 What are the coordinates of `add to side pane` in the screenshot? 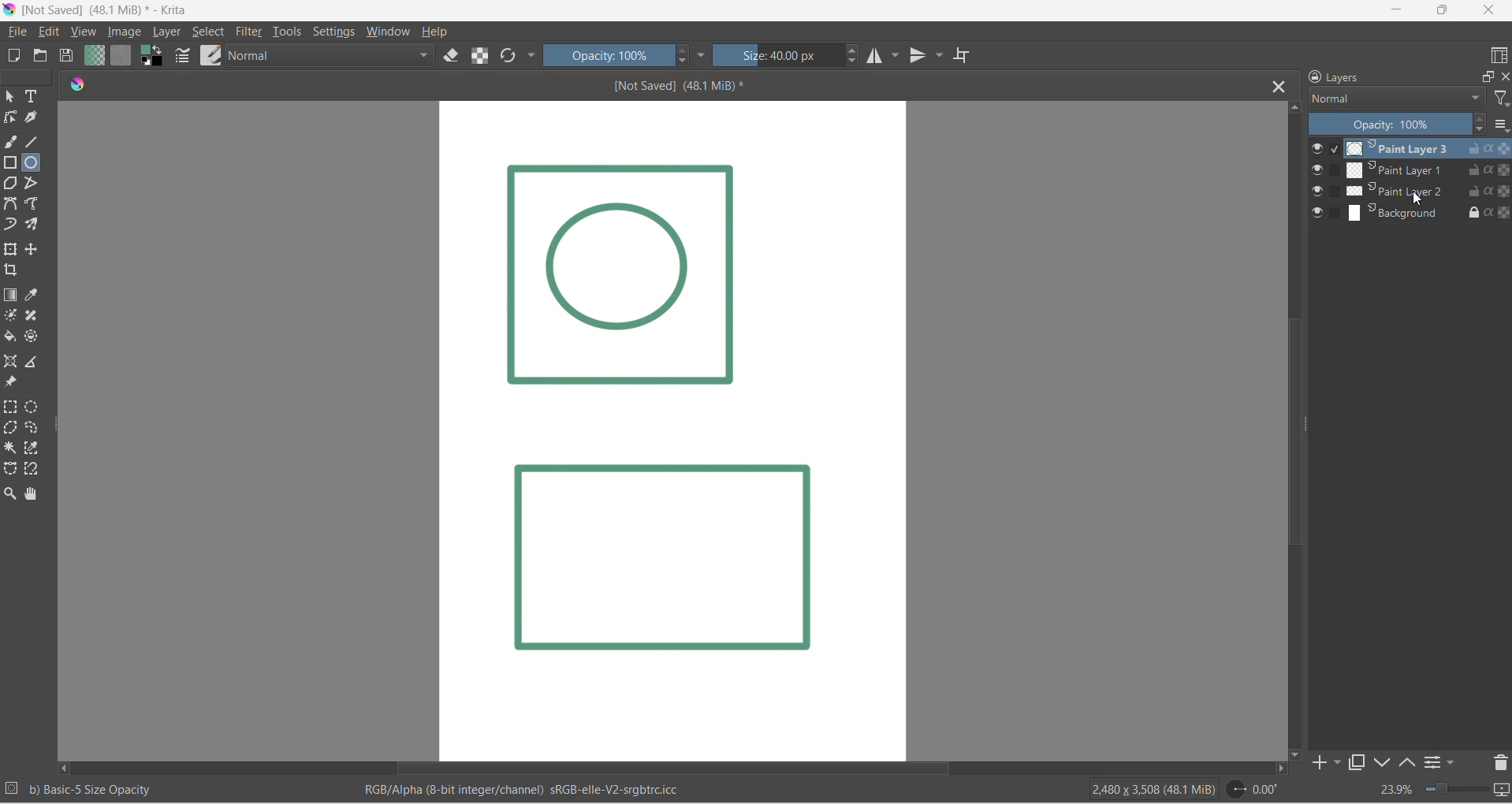 It's located at (1328, 762).